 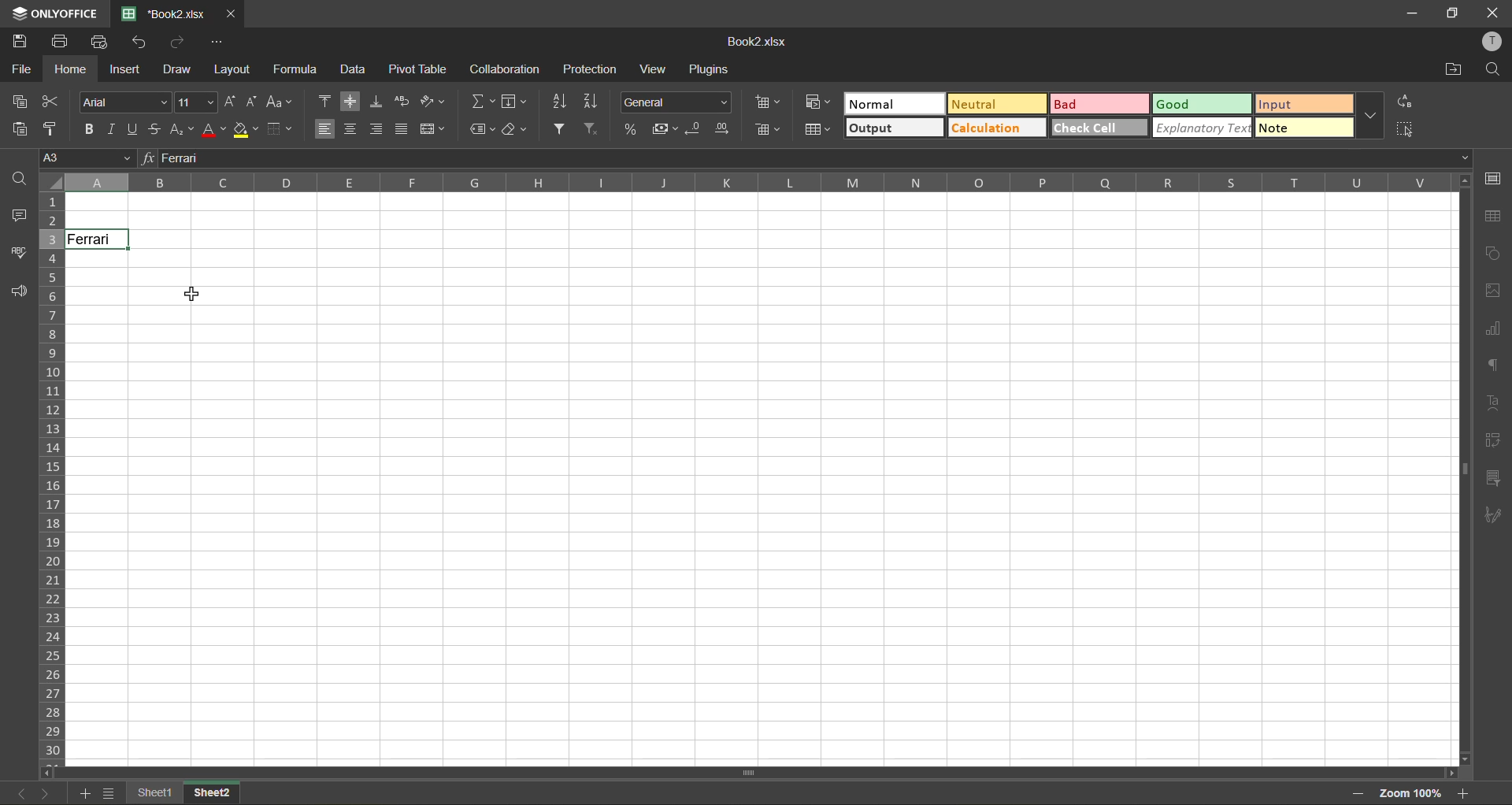 I want to click on bad, so click(x=1097, y=106).